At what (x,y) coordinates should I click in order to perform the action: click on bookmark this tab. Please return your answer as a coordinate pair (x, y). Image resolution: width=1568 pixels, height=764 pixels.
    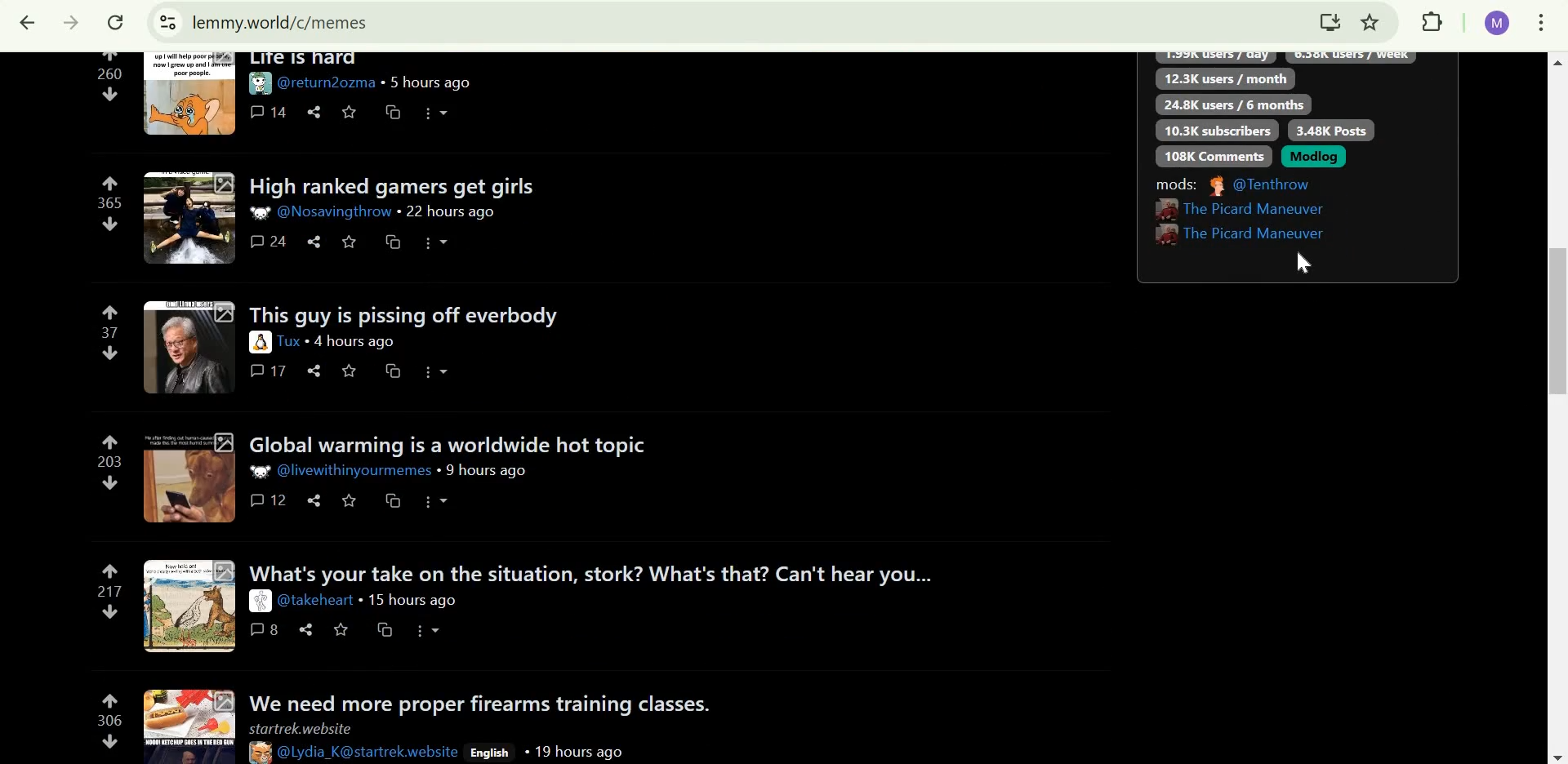
    Looking at the image, I should click on (1374, 24).